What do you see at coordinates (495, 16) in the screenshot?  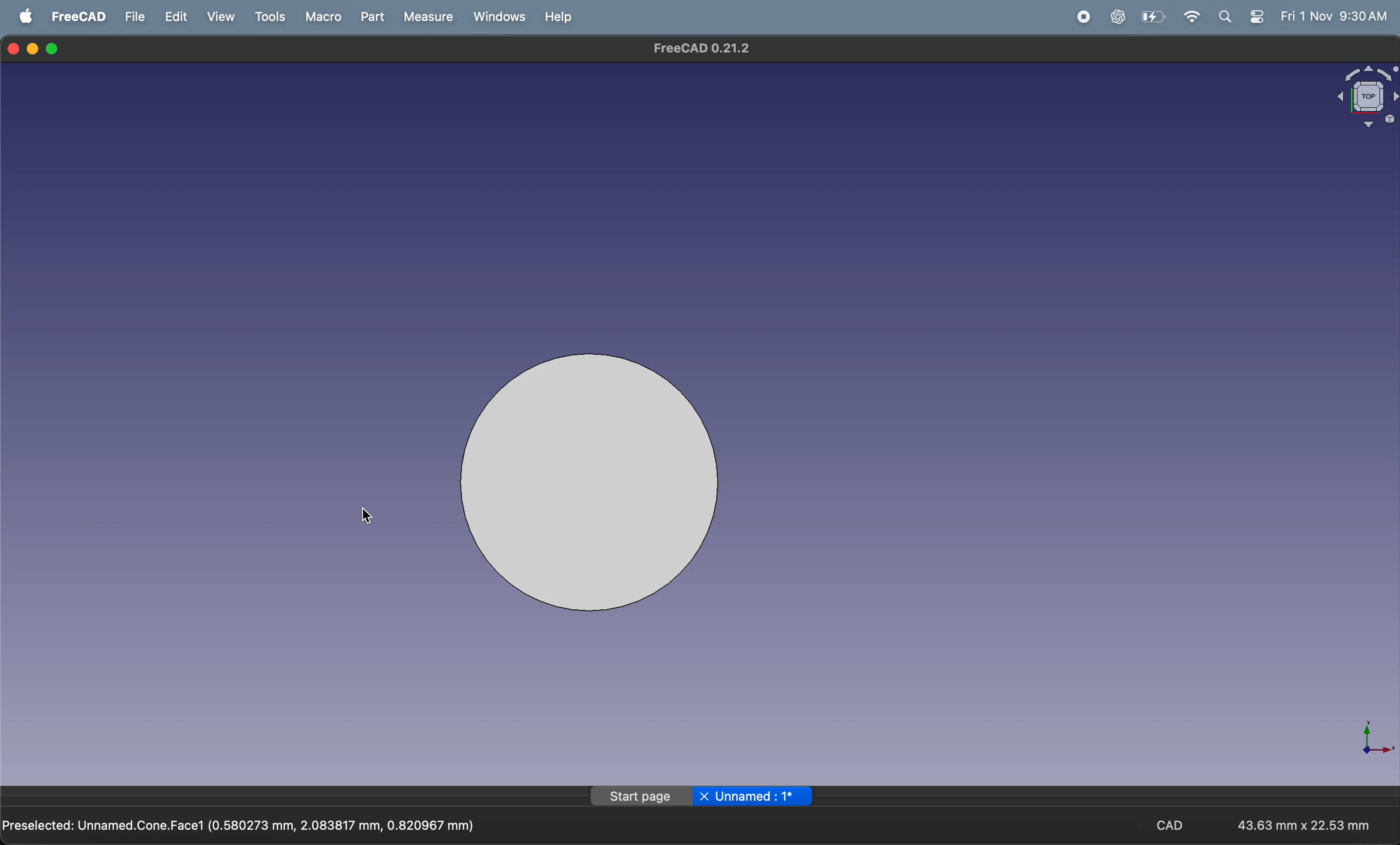 I see `windows` at bounding box center [495, 16].